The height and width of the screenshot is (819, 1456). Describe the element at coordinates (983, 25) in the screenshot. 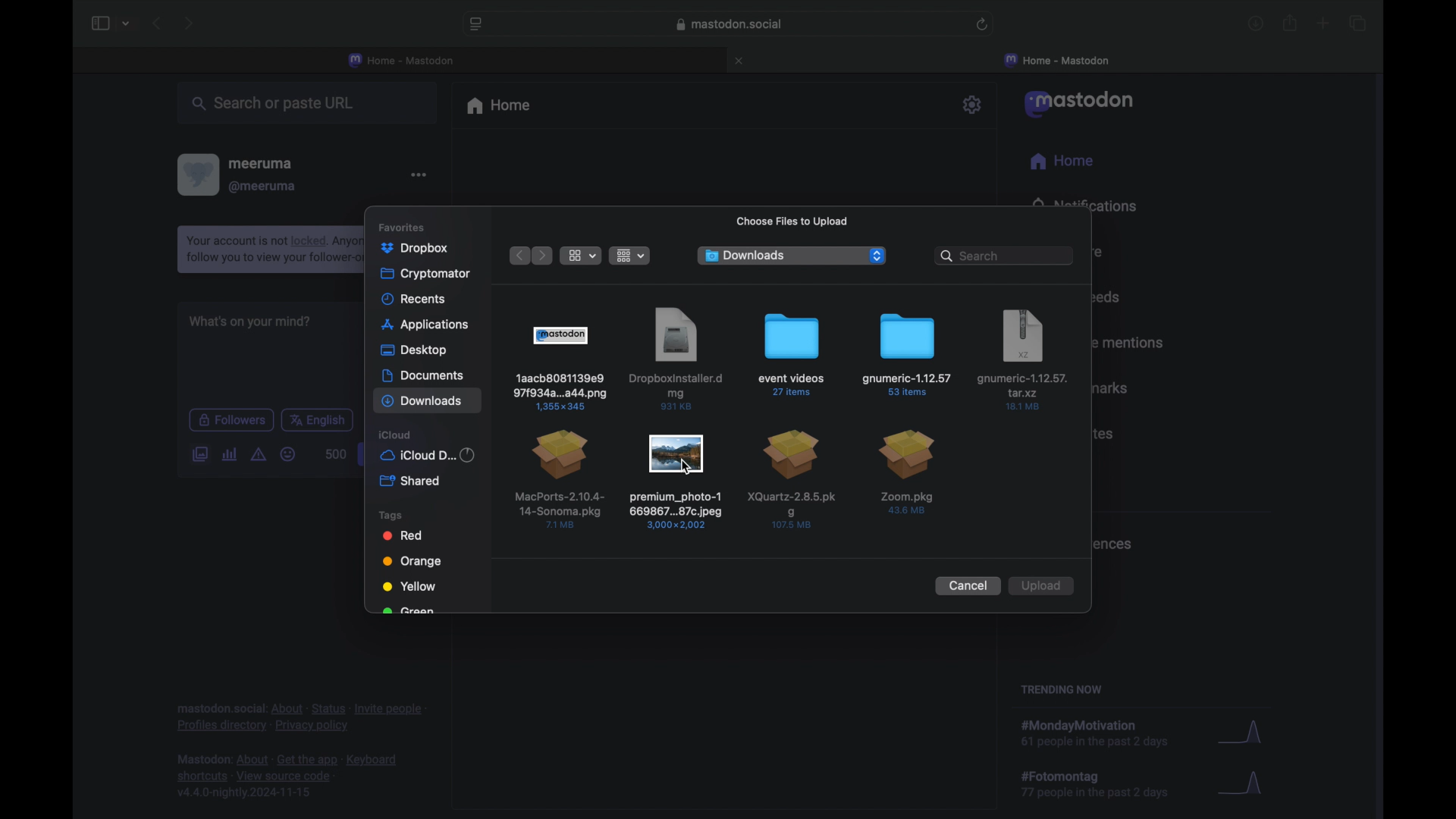

I see `refresh` at that location.